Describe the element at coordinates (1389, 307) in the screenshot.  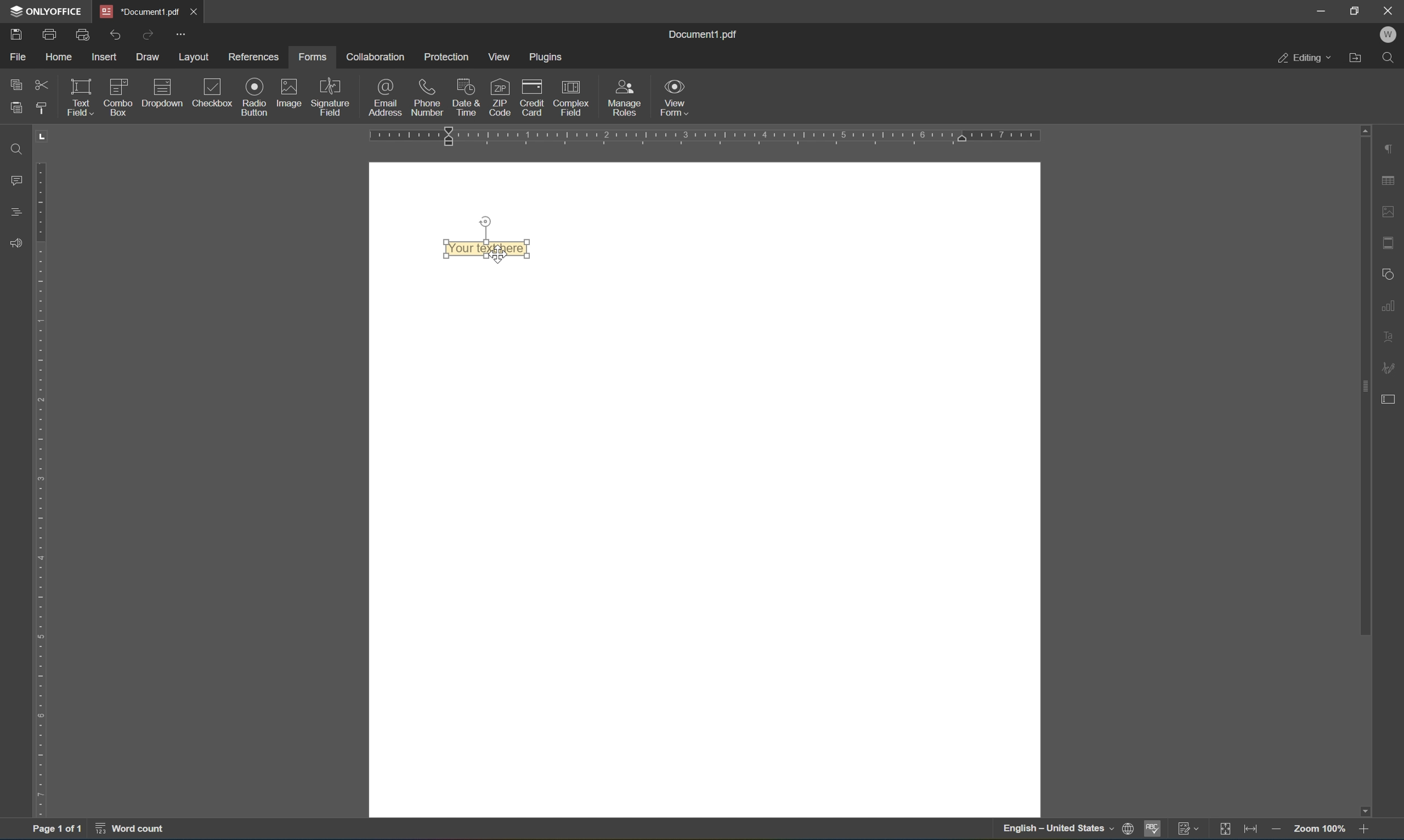
I see `chart settings` at that location.